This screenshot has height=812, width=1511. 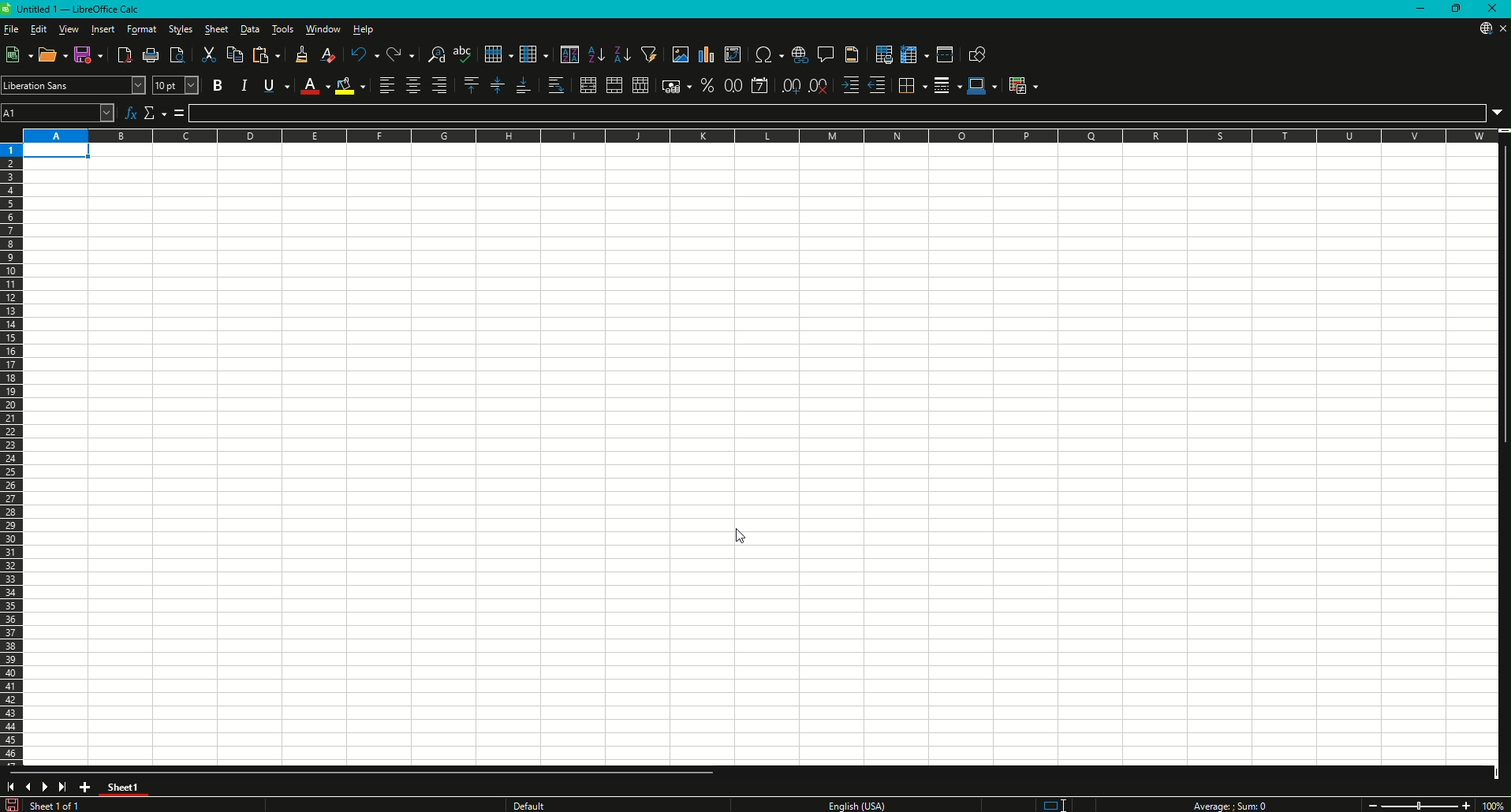 What do you see at coordinates (123, 788) in the screenshot?
I see `Tab color changed` at bounding box center [123, 788].